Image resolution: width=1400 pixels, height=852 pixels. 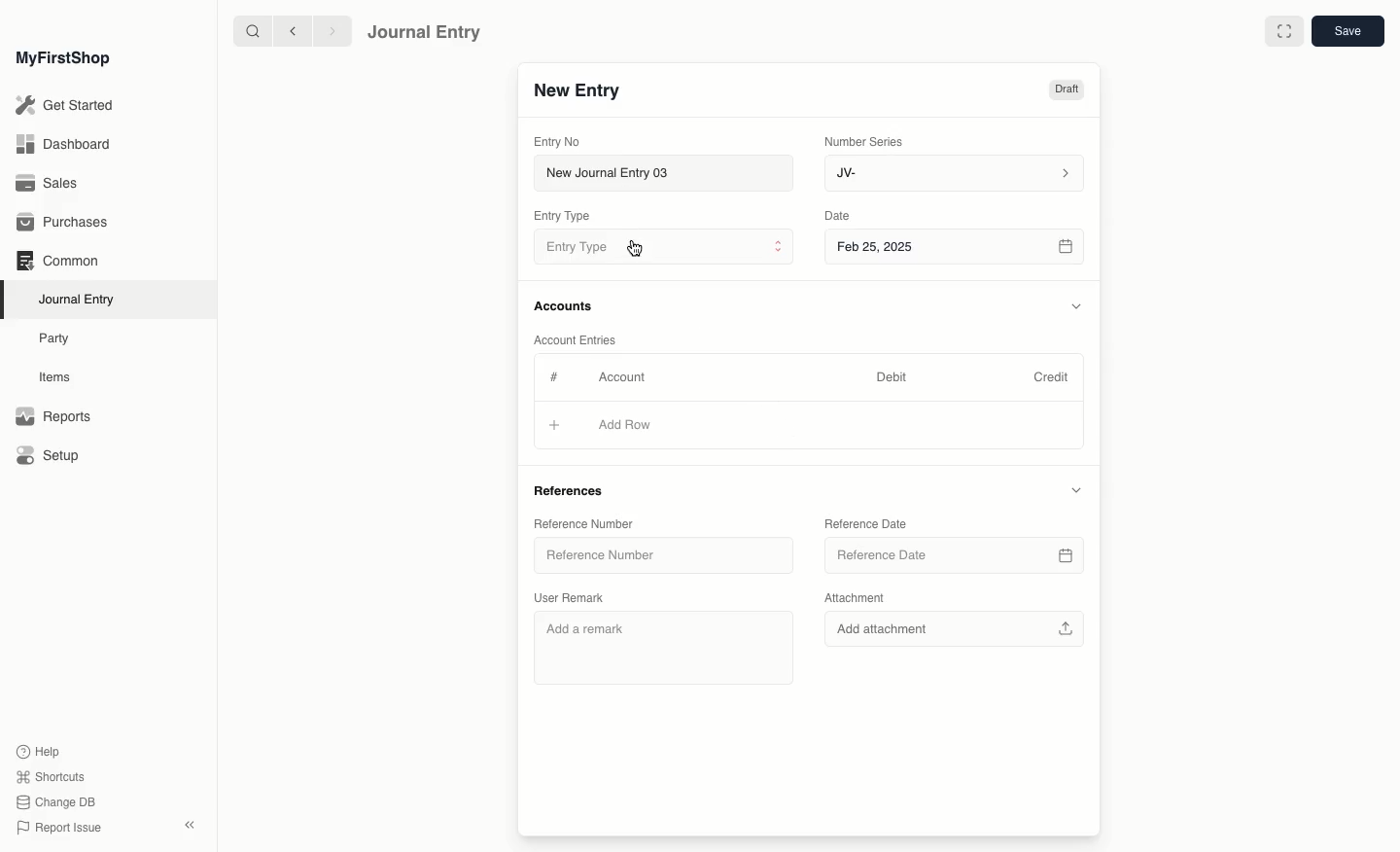 I want to click on Journal Entry, so click(x=425, y=31).